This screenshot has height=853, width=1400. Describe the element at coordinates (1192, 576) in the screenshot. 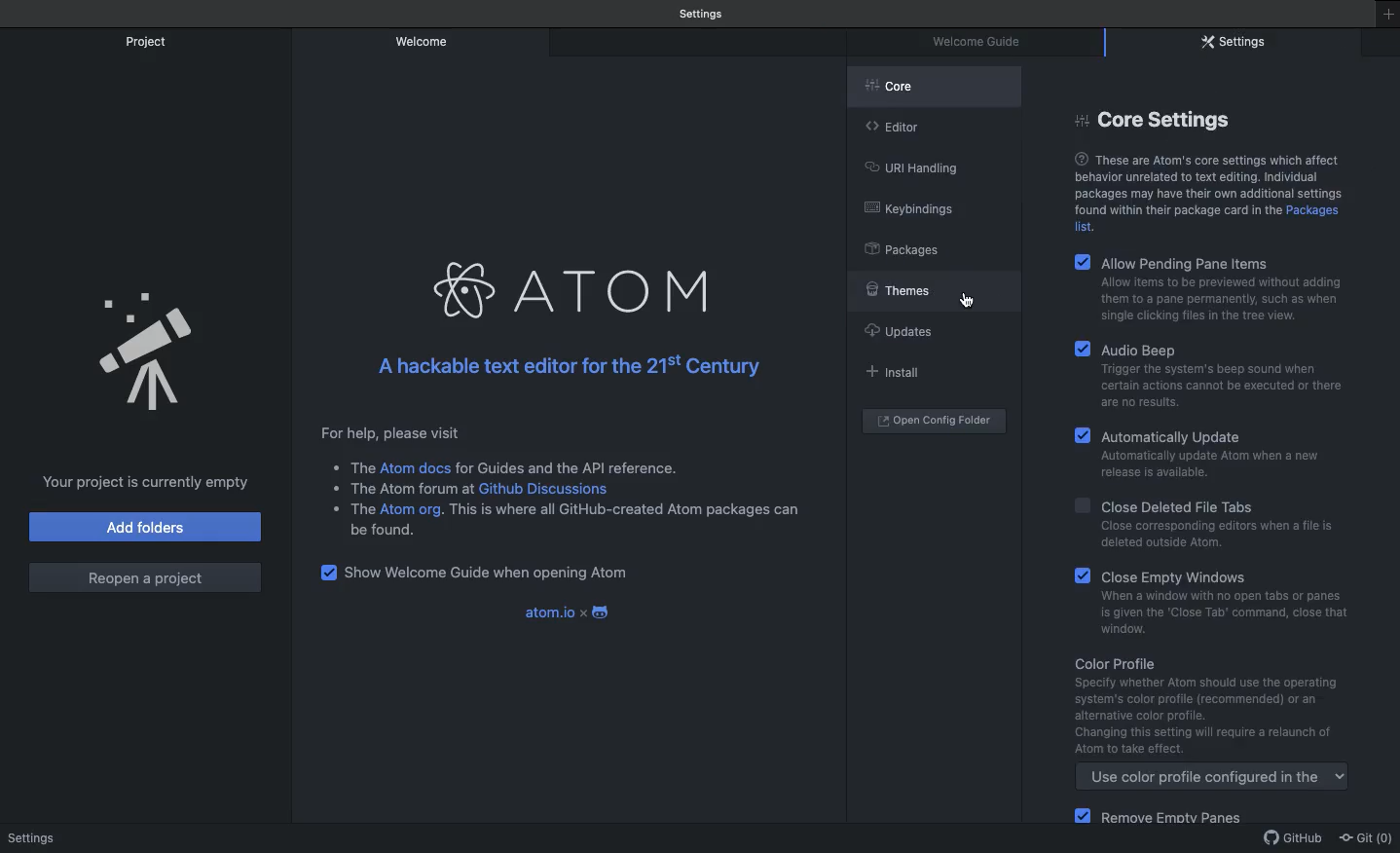

I see `Close empty windows` at that location.